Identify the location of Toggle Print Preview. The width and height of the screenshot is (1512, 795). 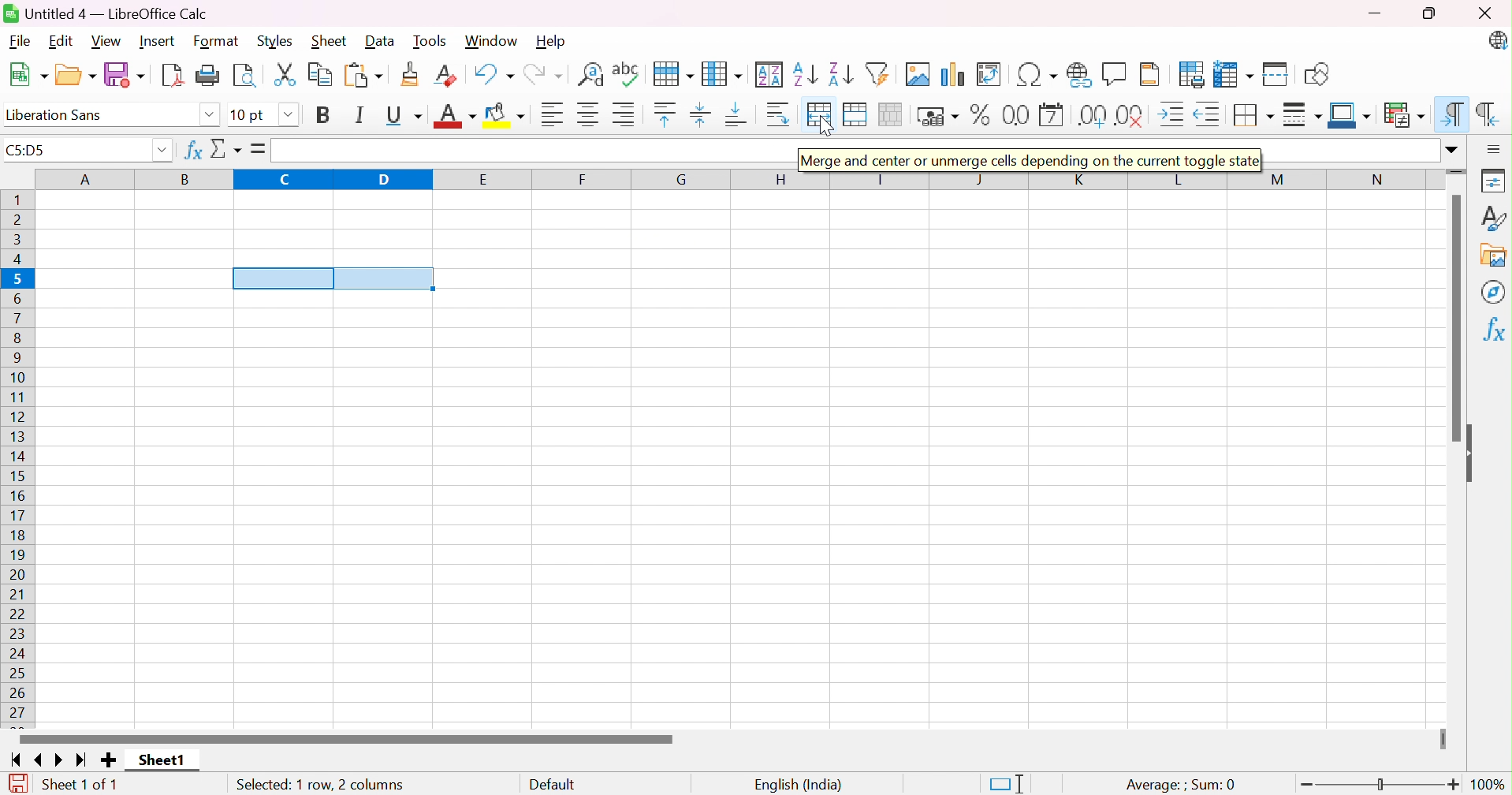
(246, 74).